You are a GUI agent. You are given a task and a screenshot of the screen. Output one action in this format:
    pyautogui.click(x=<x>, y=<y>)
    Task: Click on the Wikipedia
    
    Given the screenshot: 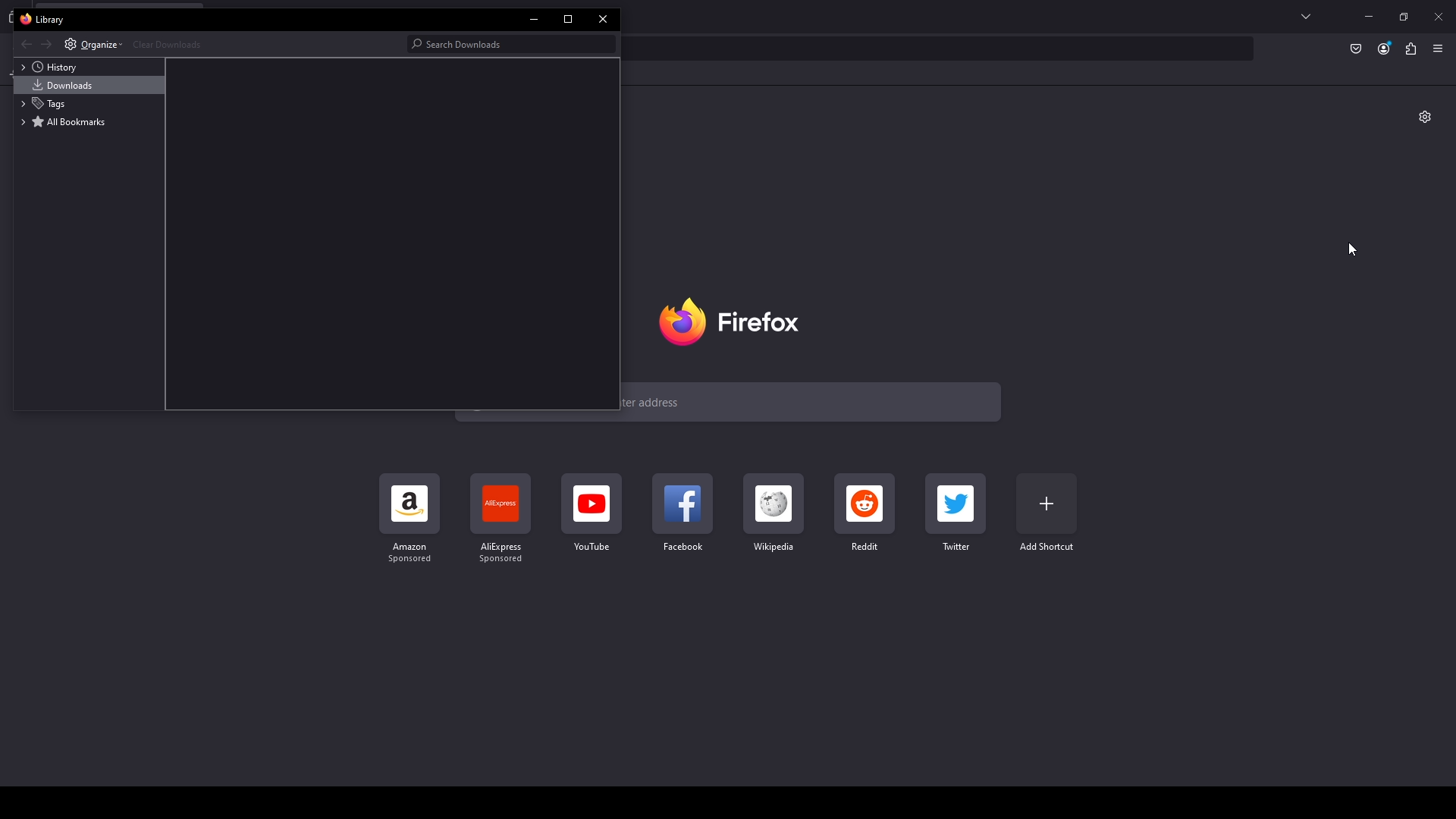 What is the action you would take?
    pyautogui.click(x=772, y=513)
    